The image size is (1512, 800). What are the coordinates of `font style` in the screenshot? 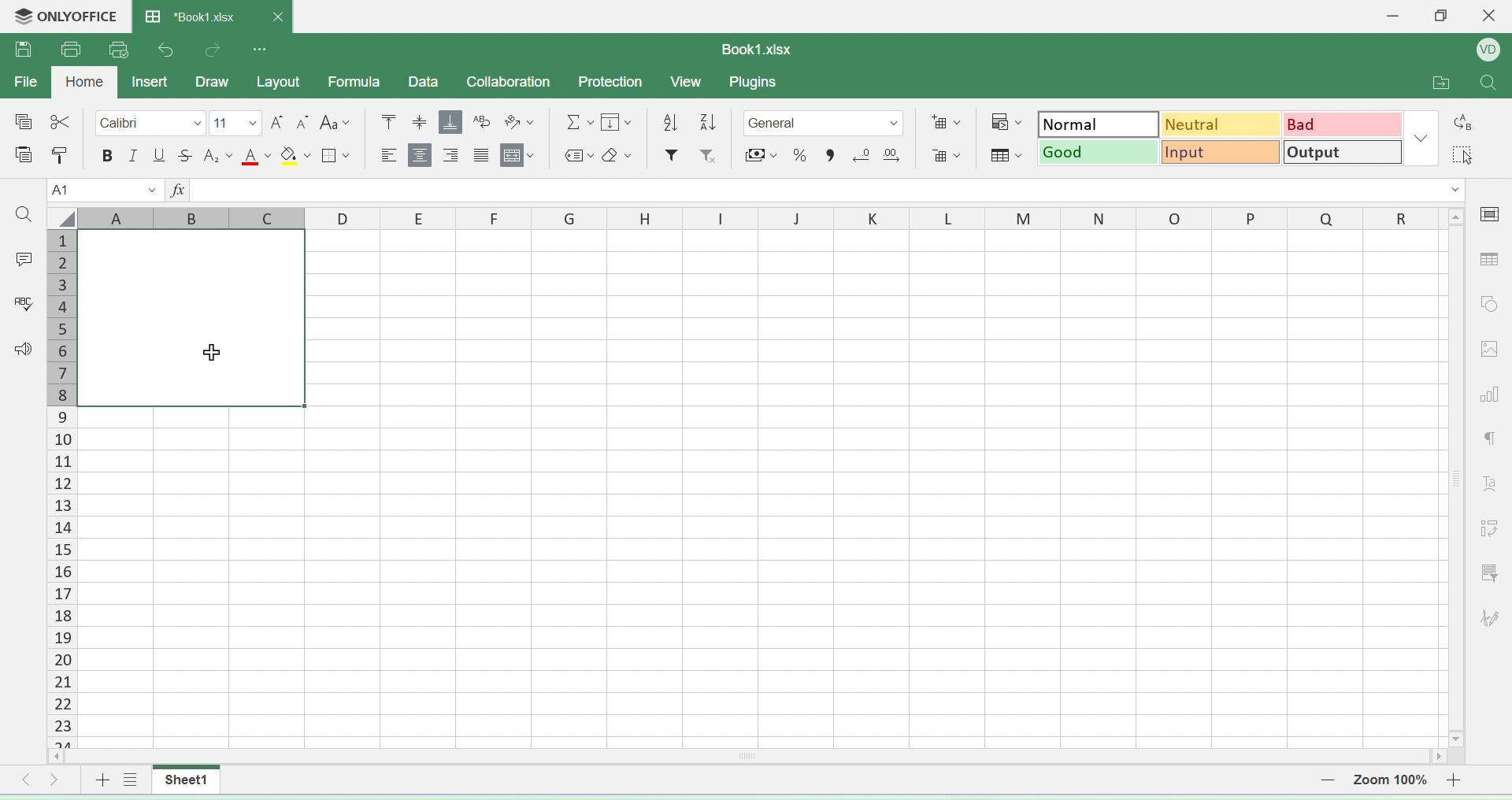 It's located at (341, 123).